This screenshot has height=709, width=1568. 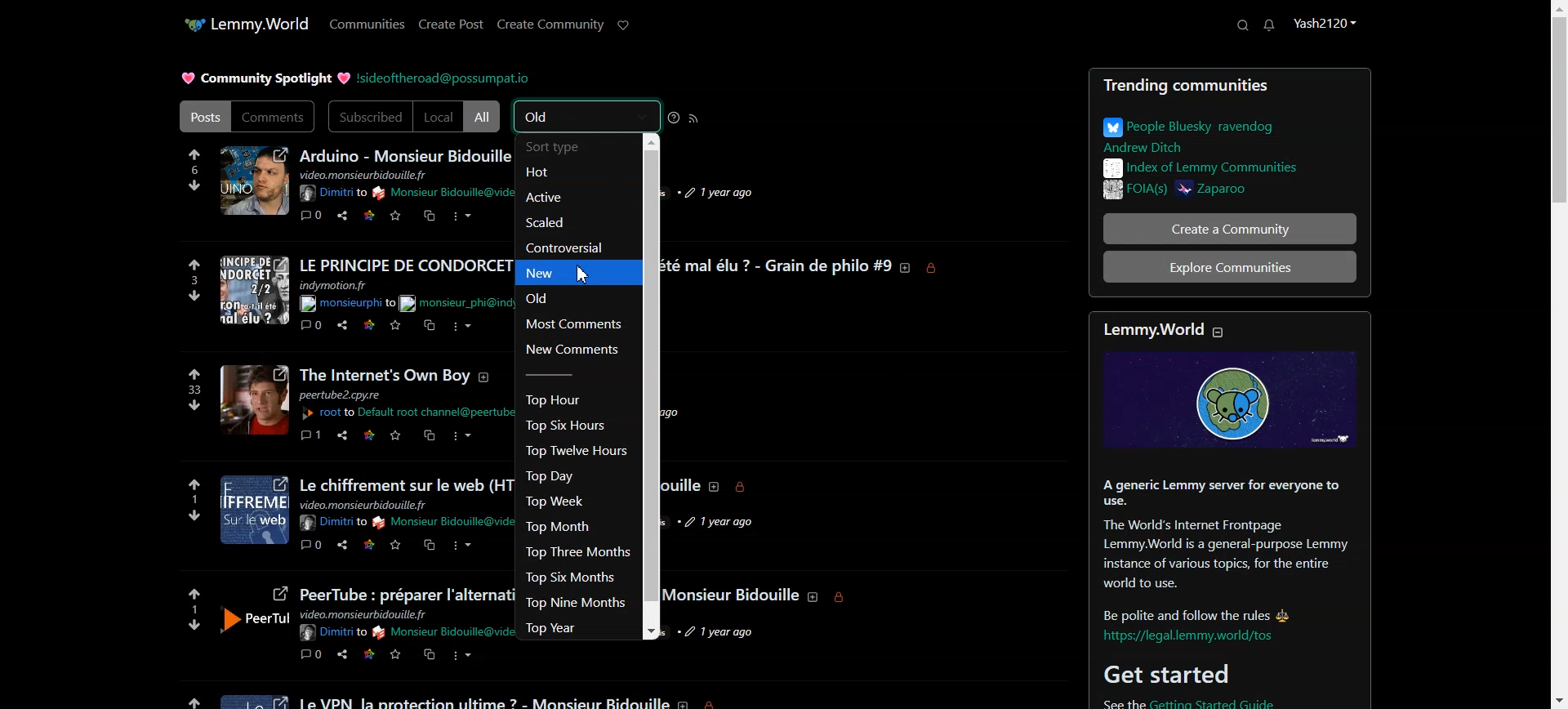 What do you see at coordinates (571, 323) in the screenshot?
I see `Most Comments` at bounding box center [571, 323].